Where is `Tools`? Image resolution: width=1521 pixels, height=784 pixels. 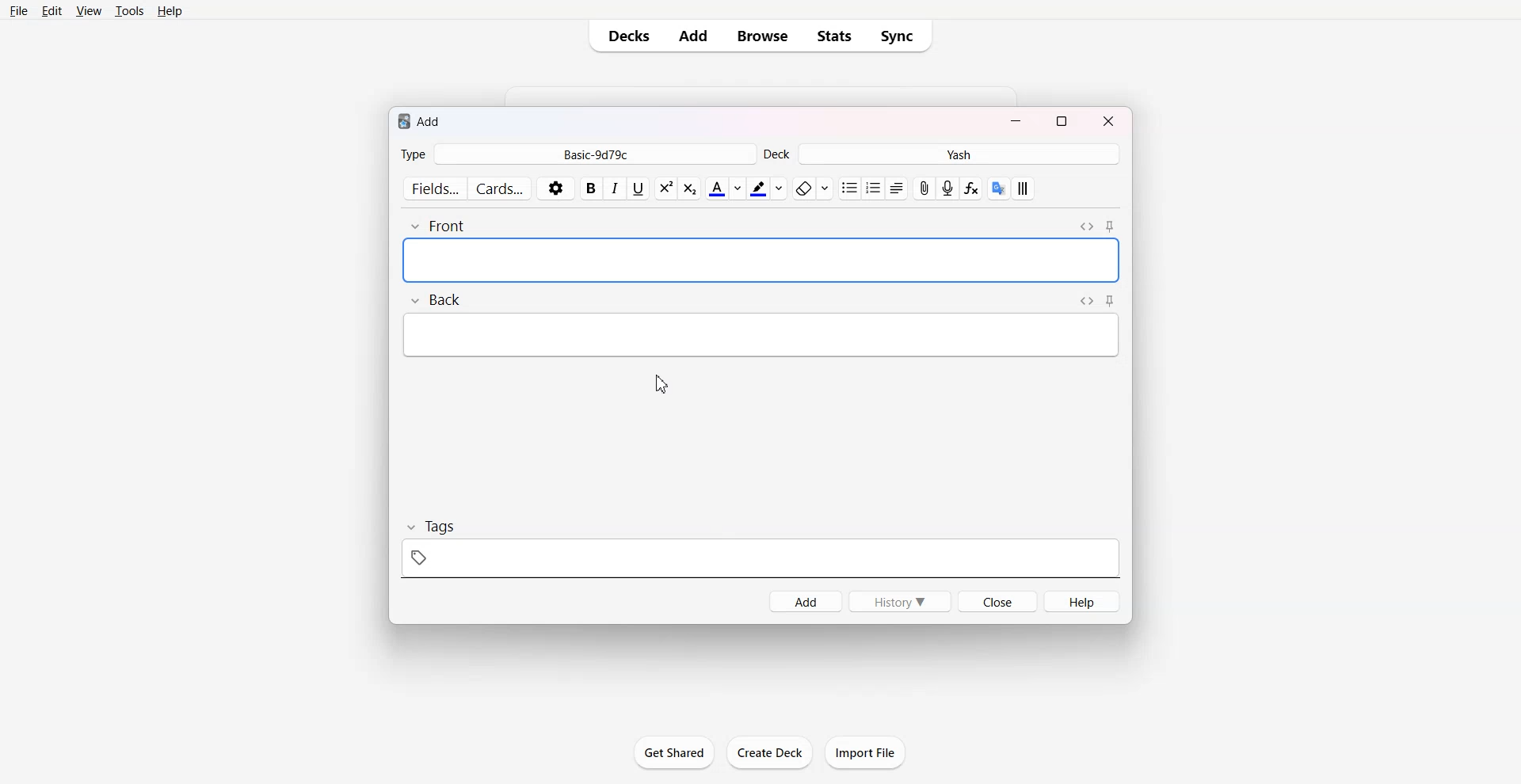 Tools is located at coordinates (130, 12).